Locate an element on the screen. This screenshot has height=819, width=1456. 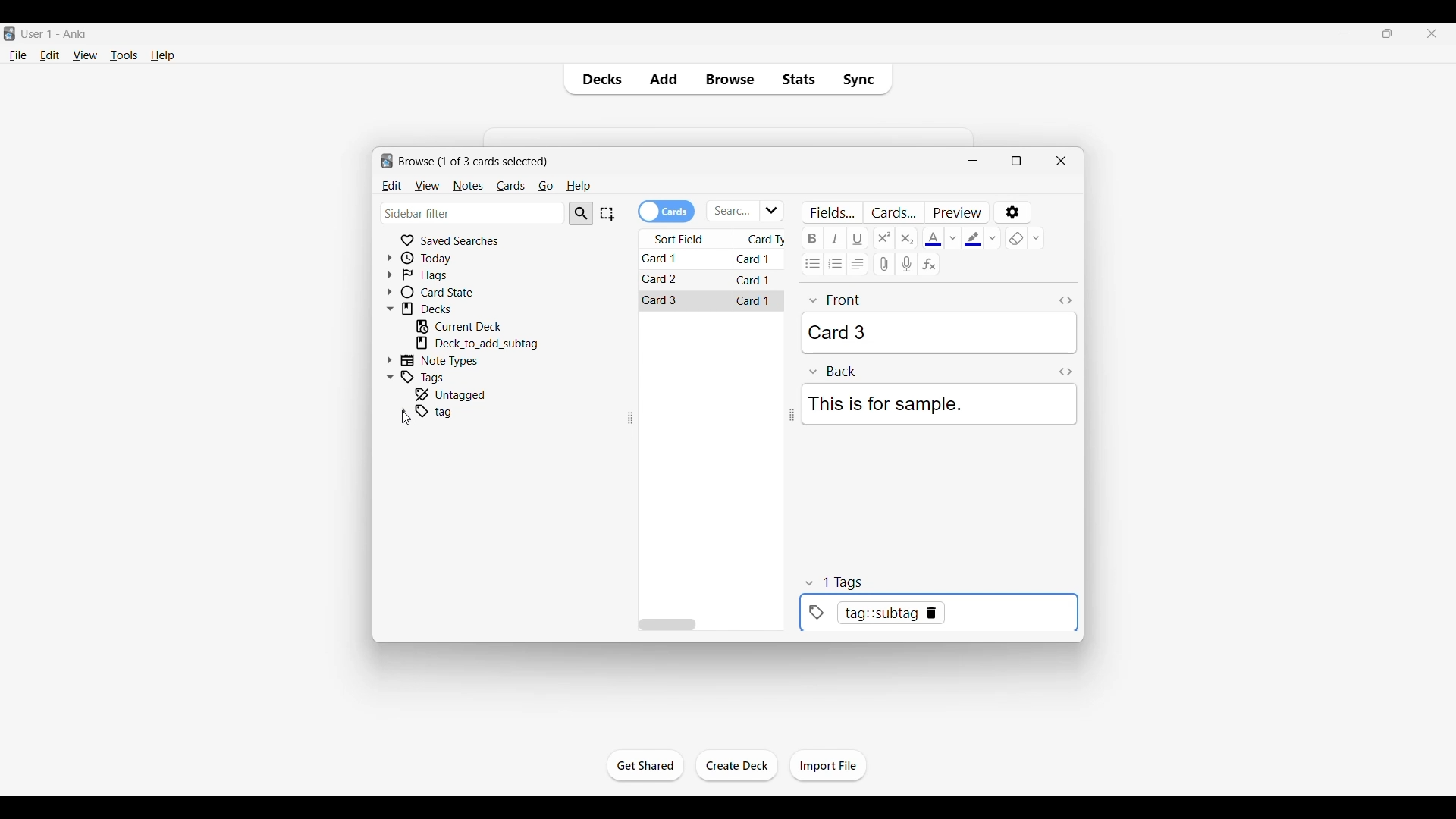
Close interface is located at coordinates (1432, 33).